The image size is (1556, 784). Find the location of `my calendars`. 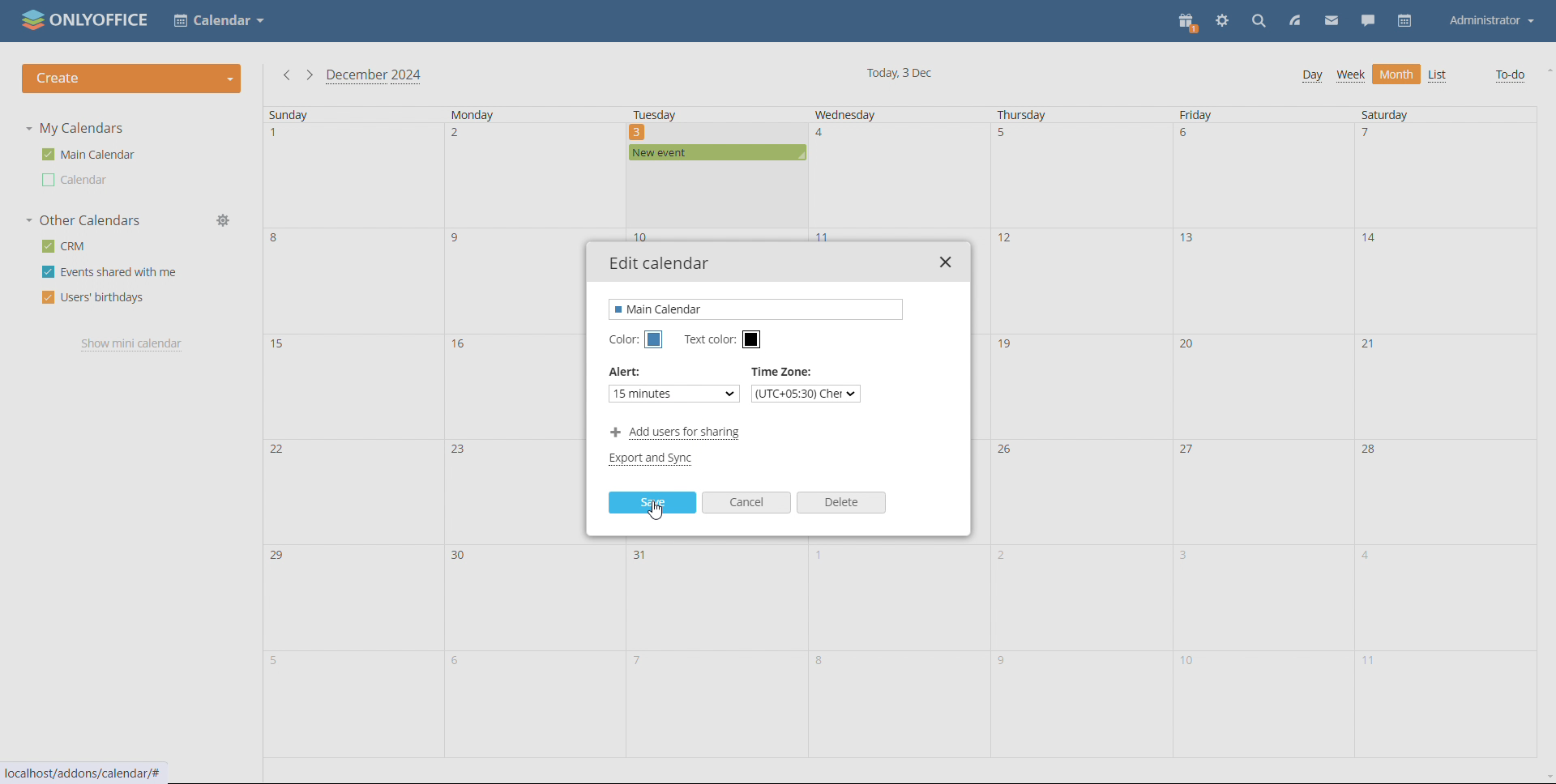

my calendars is located at coordinates (75, 128).